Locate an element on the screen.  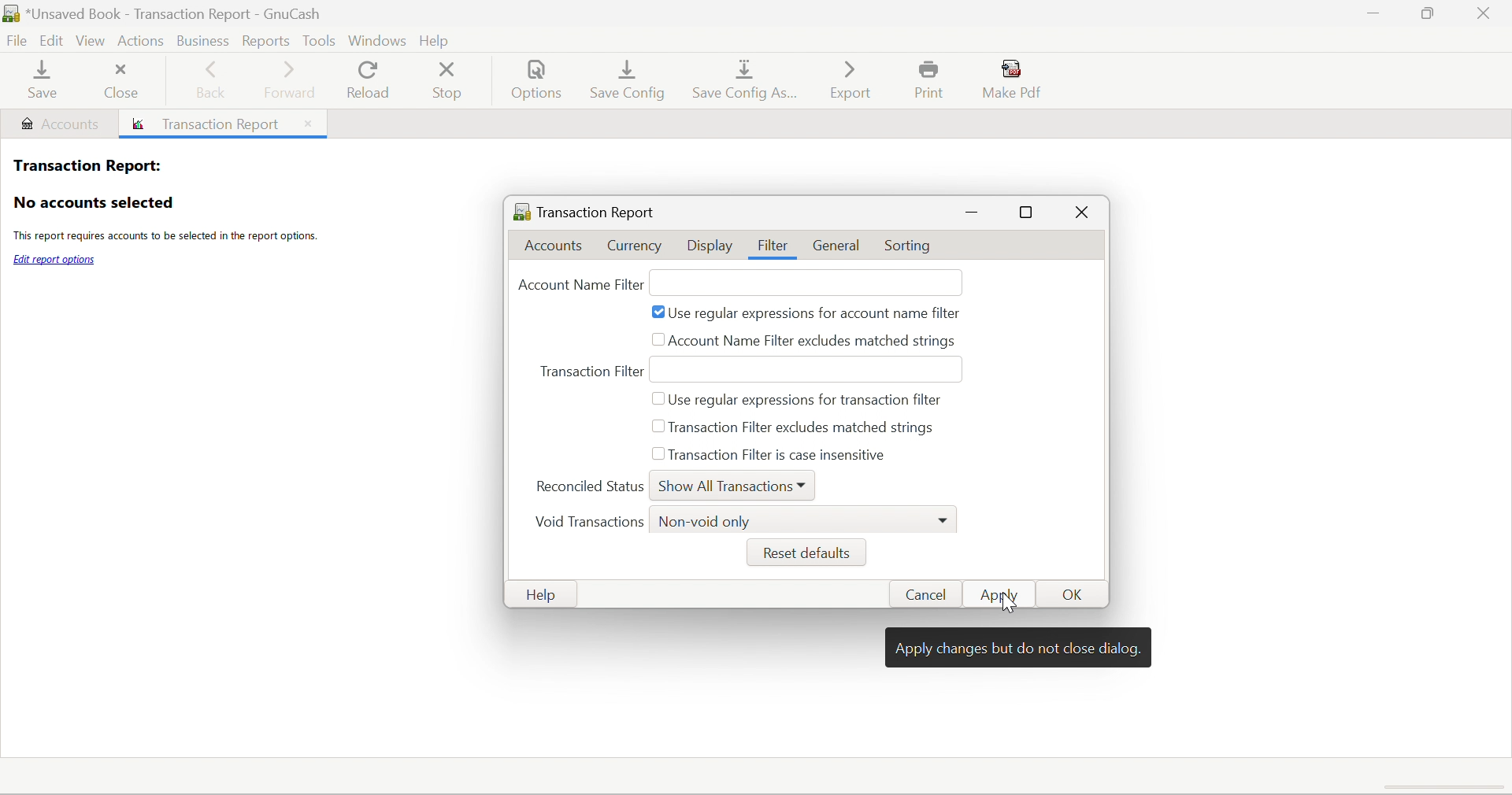
Windows is located at coordinates (376, 39).